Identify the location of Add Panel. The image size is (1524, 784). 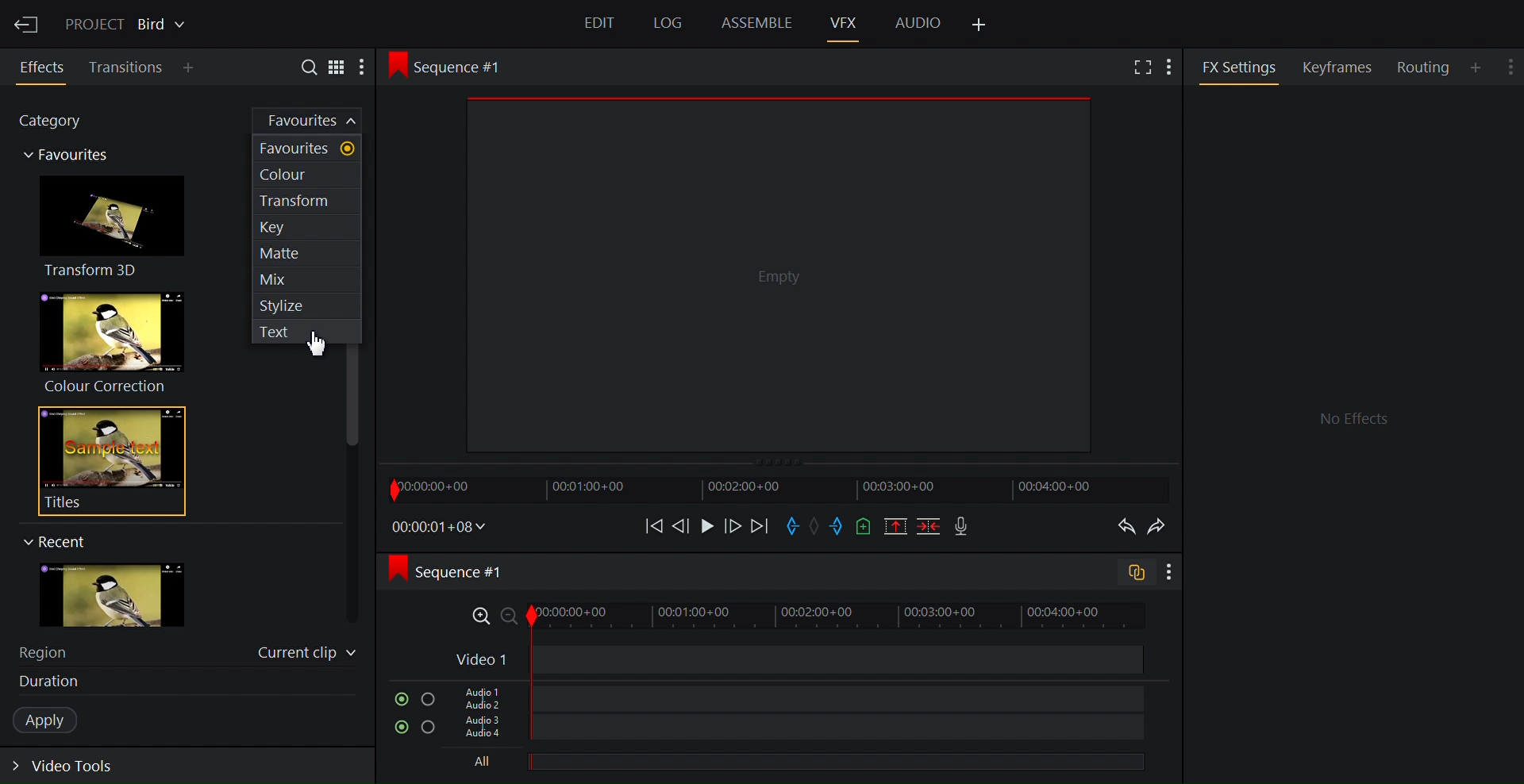
(1478, 67).